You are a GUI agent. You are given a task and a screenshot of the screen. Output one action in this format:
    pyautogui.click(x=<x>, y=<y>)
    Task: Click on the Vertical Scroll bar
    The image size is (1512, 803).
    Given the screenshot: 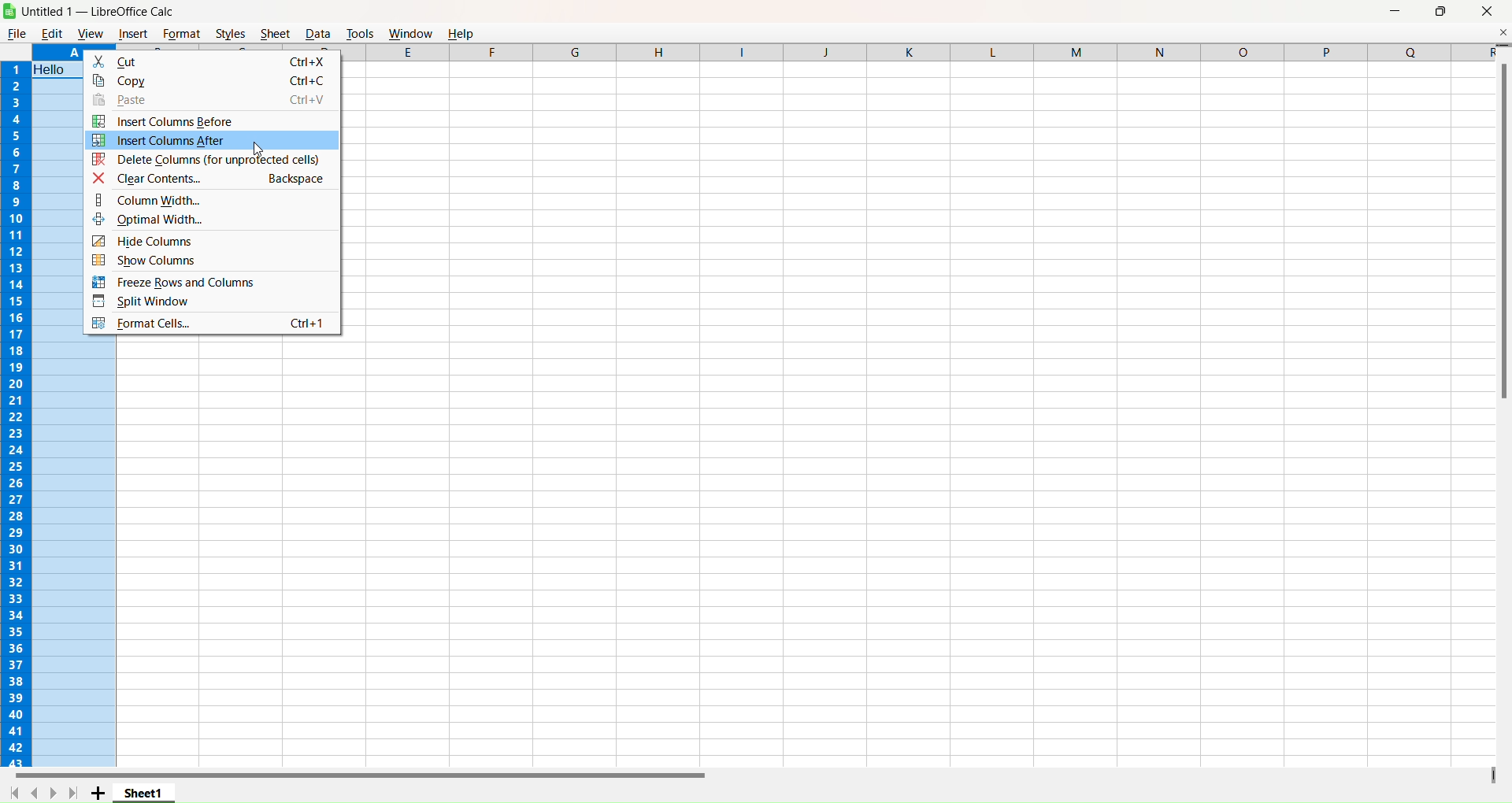 What is the action you would take?
    pyautogui.click(x=1502, y=224)
    